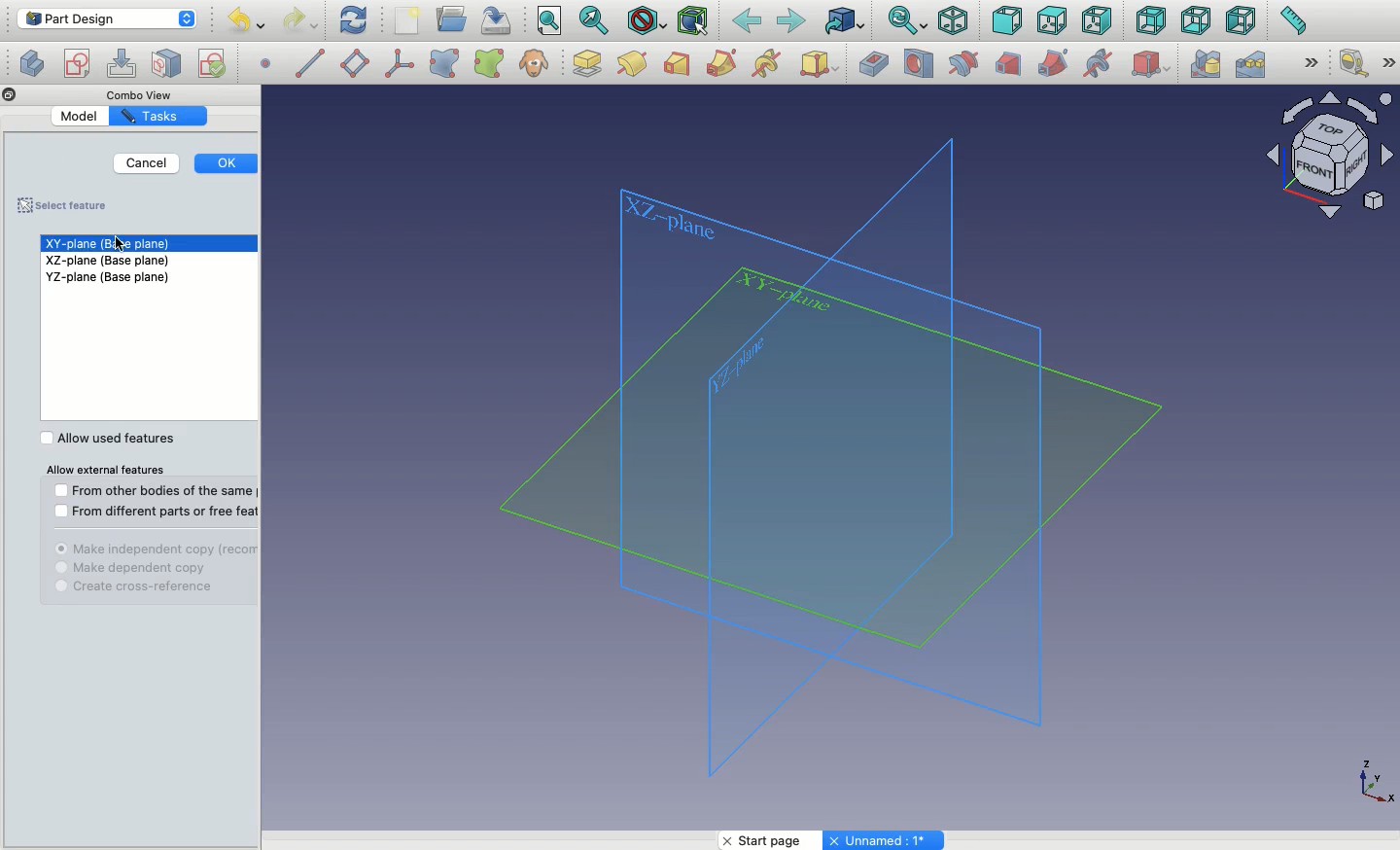  What do you see at coordinates (1352, 64) in the screenshot?
I see `Measure linear` at bounding box center [1352, 64].